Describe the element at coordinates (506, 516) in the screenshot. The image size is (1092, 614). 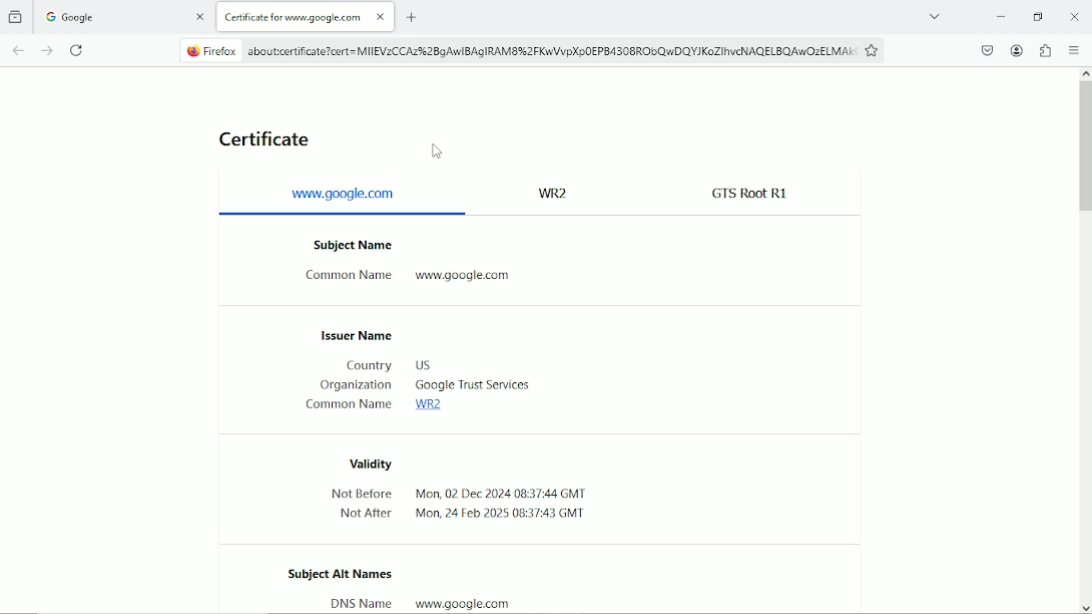
I see `Mon, 02 Dec 2024 08:37:44 GMT` at that location.